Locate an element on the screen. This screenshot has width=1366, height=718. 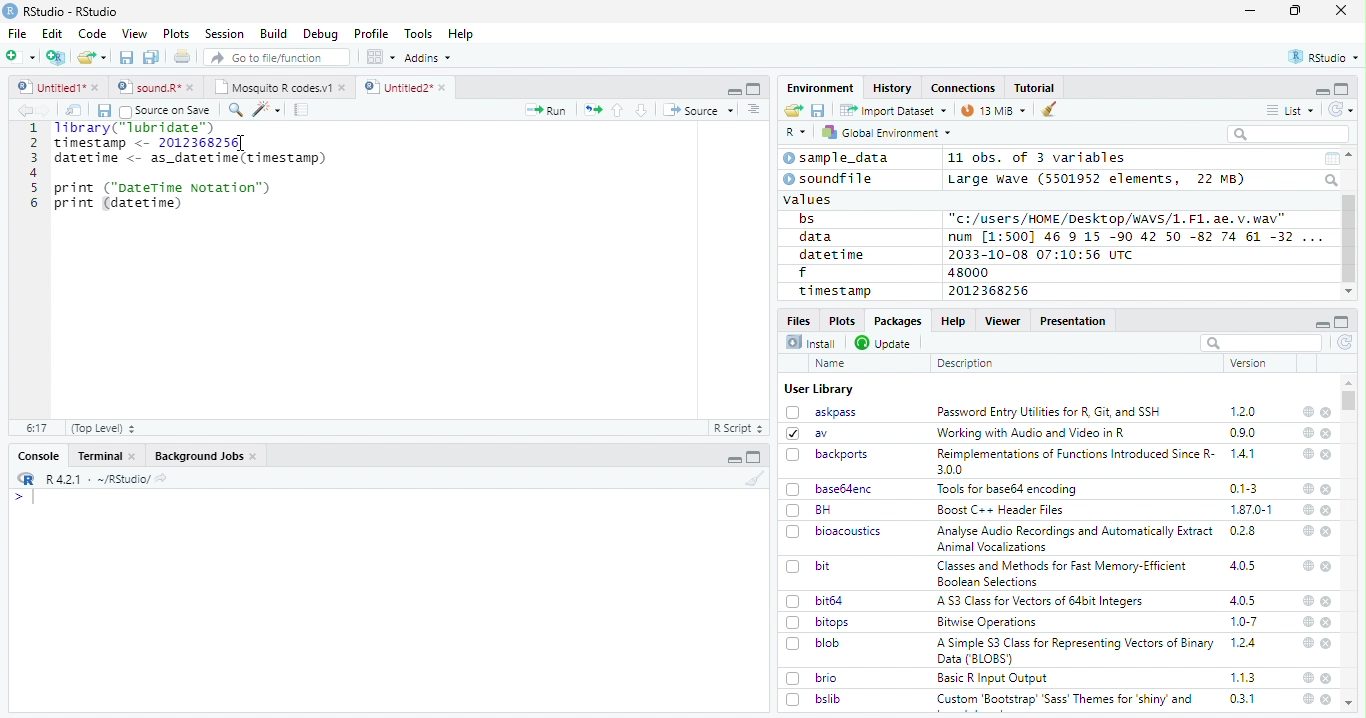
48000 is located at coordinates (966, 272).